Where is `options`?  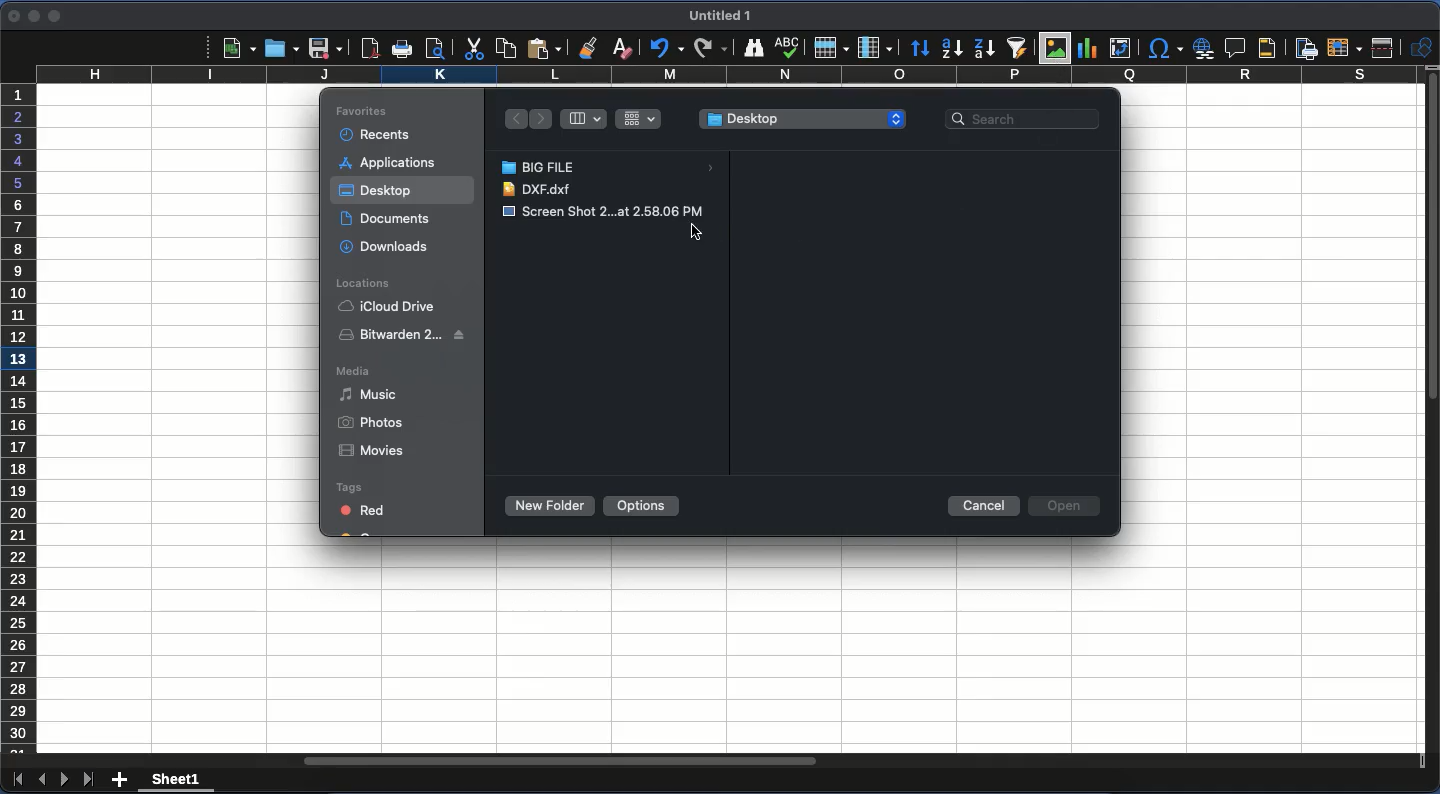 options is located at coordinates (643, 506).